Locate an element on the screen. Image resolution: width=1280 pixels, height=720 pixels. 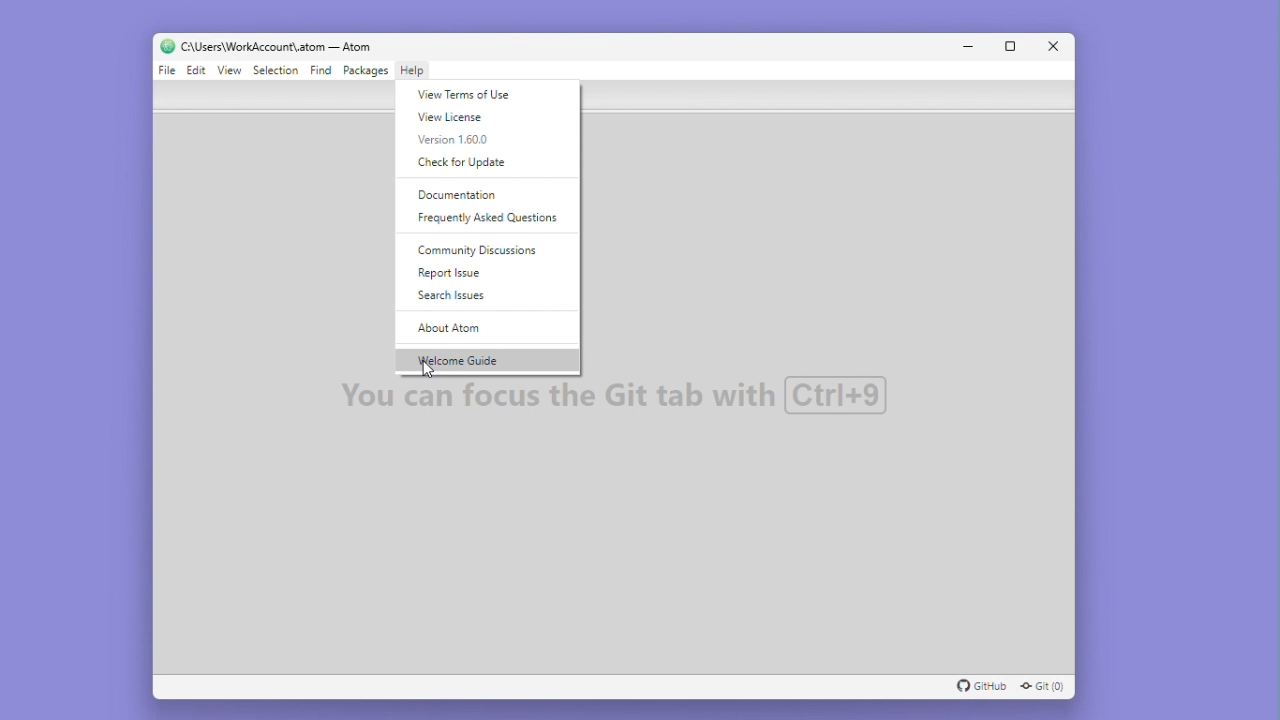
Community discussions is located at coordinates (484, 249).